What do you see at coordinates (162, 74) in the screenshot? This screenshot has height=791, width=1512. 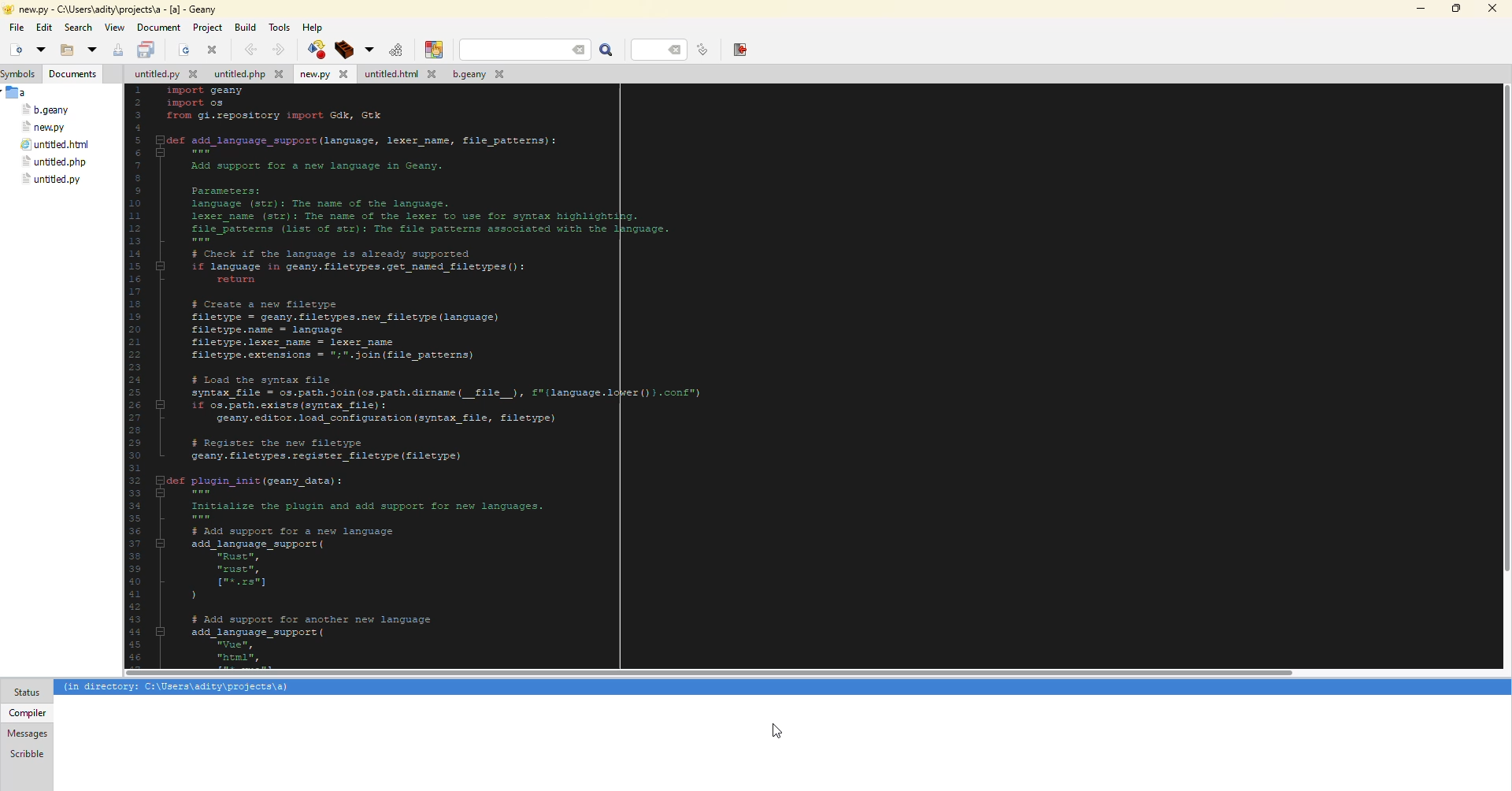 I see `file` at bounding box center [162, 74].